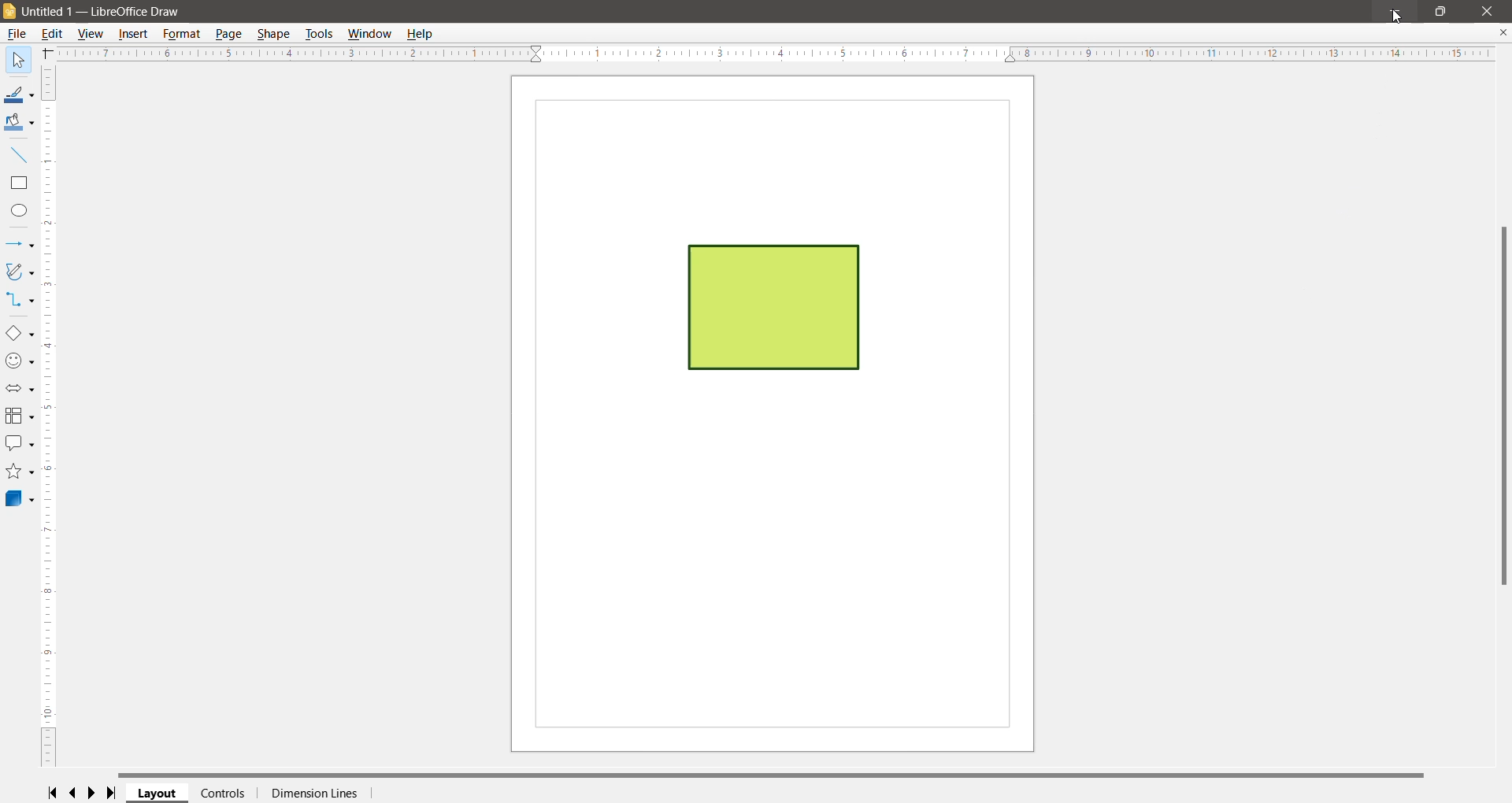 The image size is (1512, 803). What do you see at coordinates (95, 793) in the screenshot?
I see `Scroll to next page` at bounding box center [95, 793].